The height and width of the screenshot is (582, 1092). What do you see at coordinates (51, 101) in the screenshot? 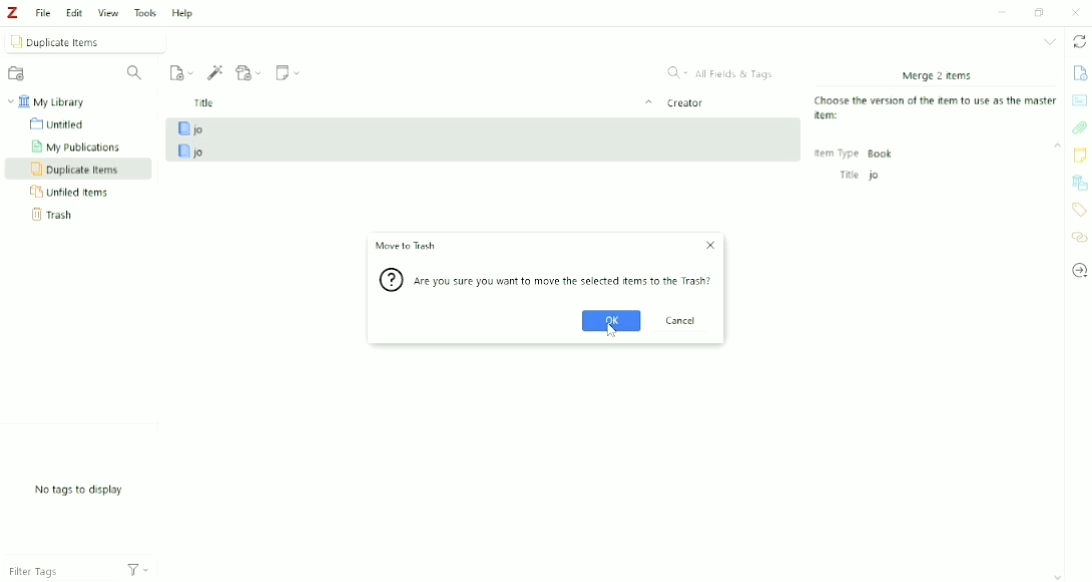
I see `My Library` at bounding box center [51, 101].